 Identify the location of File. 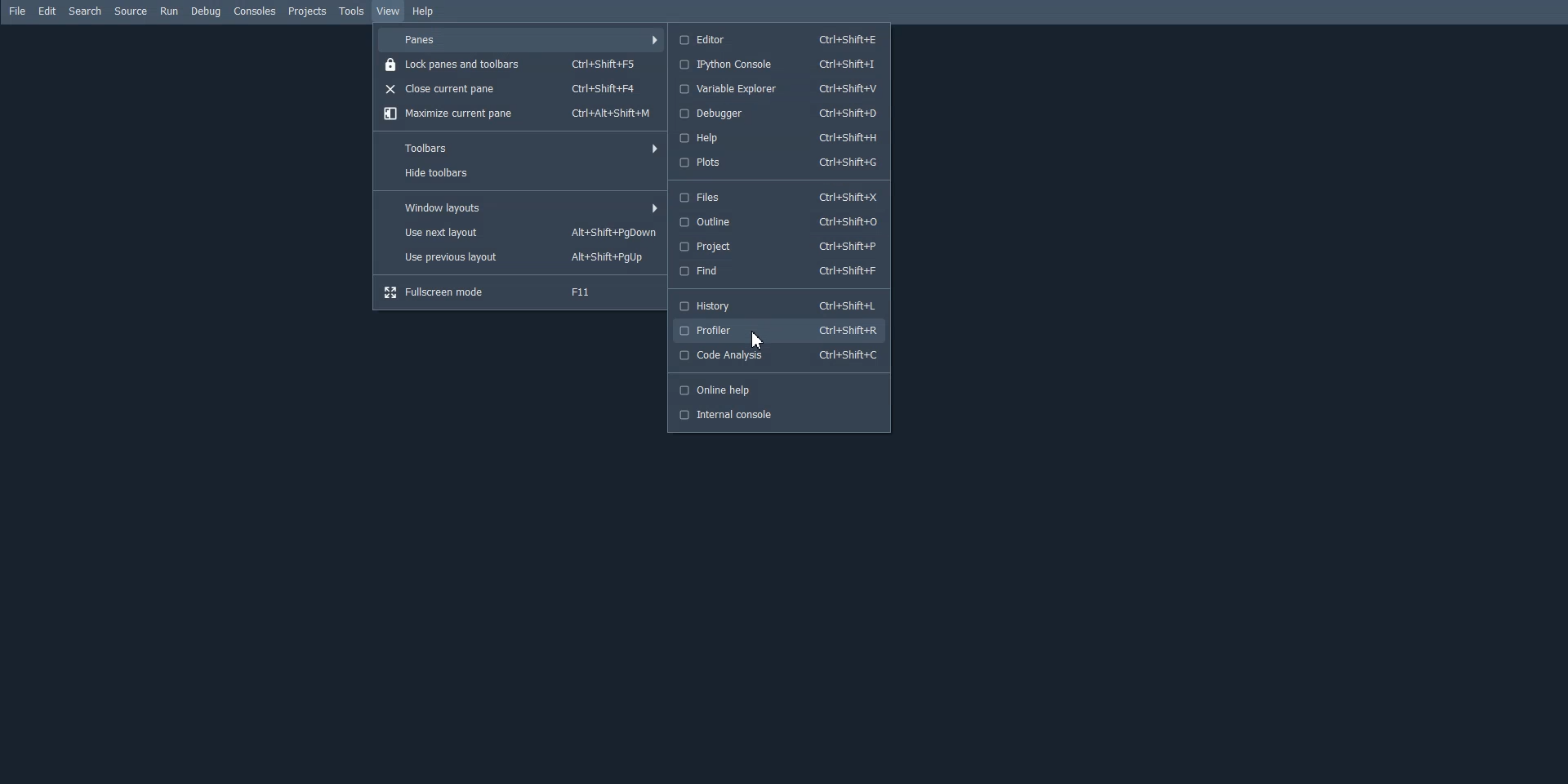
(17, 11).